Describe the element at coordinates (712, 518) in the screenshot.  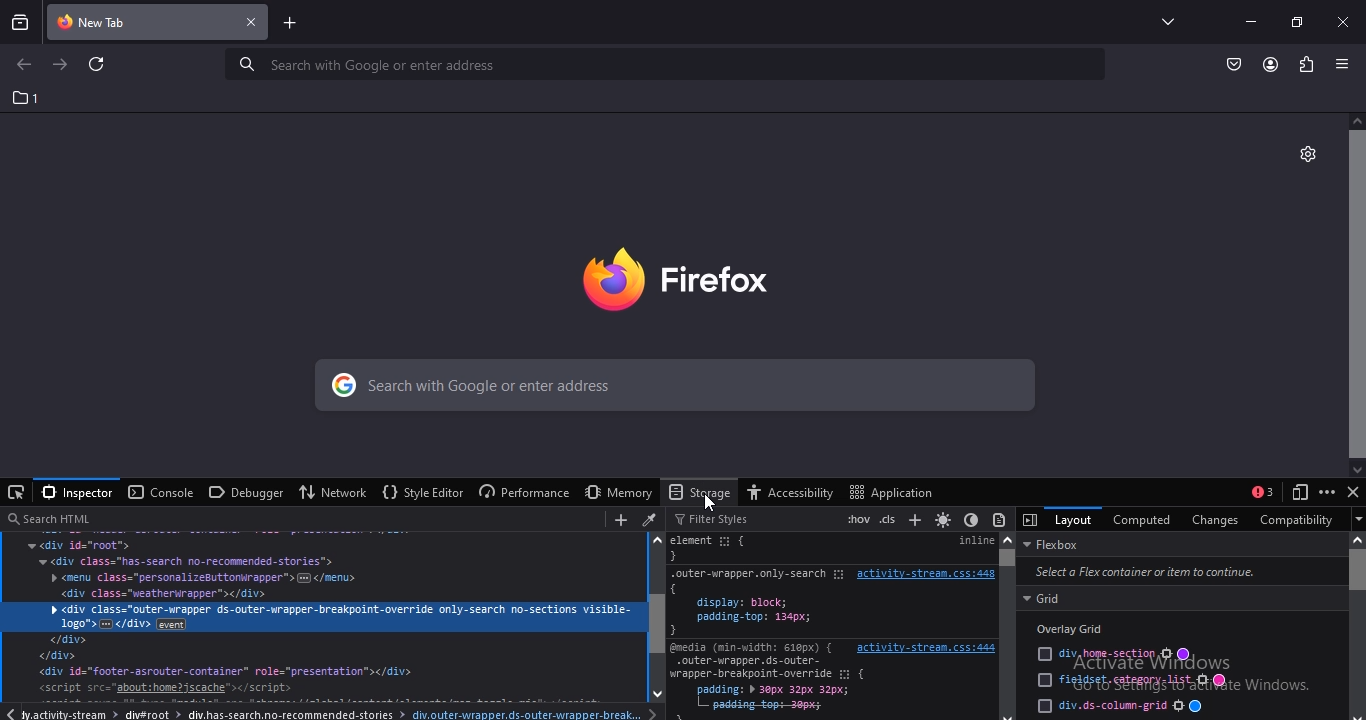
I see `filter styles` at that location.